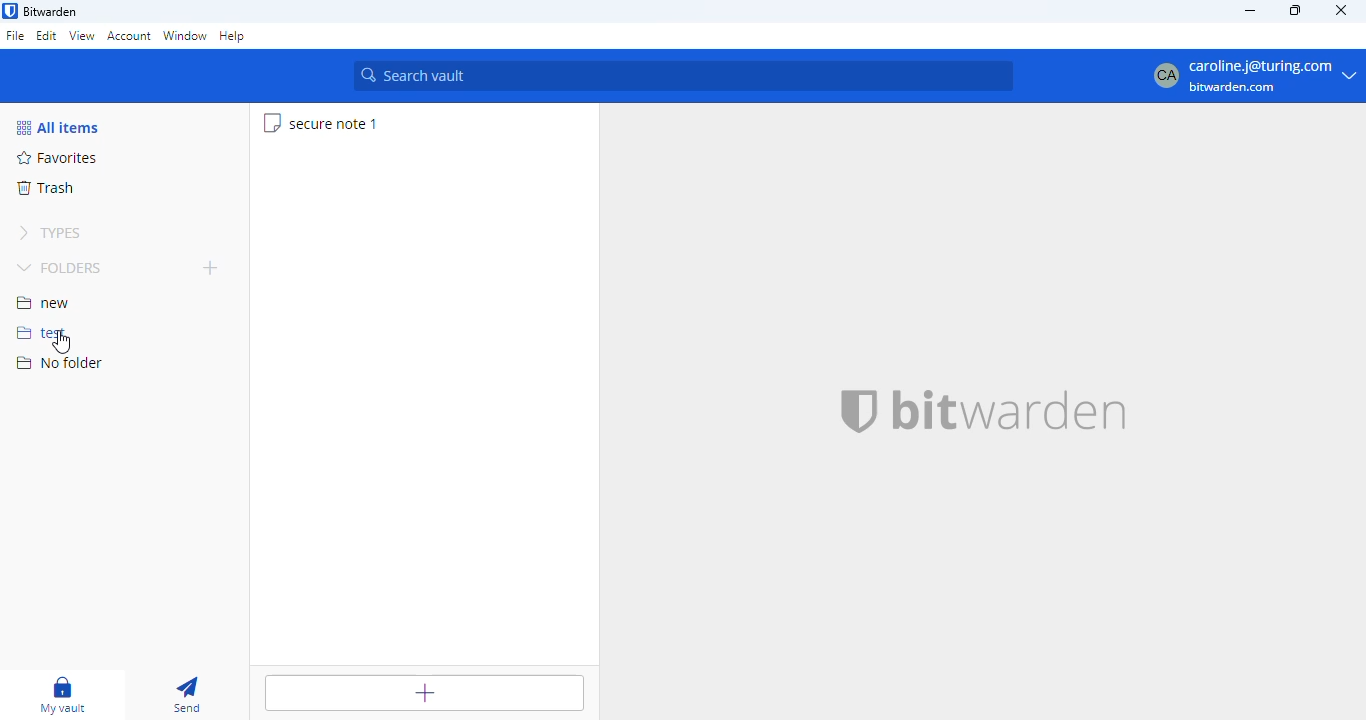 The height and width of the screenshot is (720, 1366). I want to click on cursor, so click(61, 344).